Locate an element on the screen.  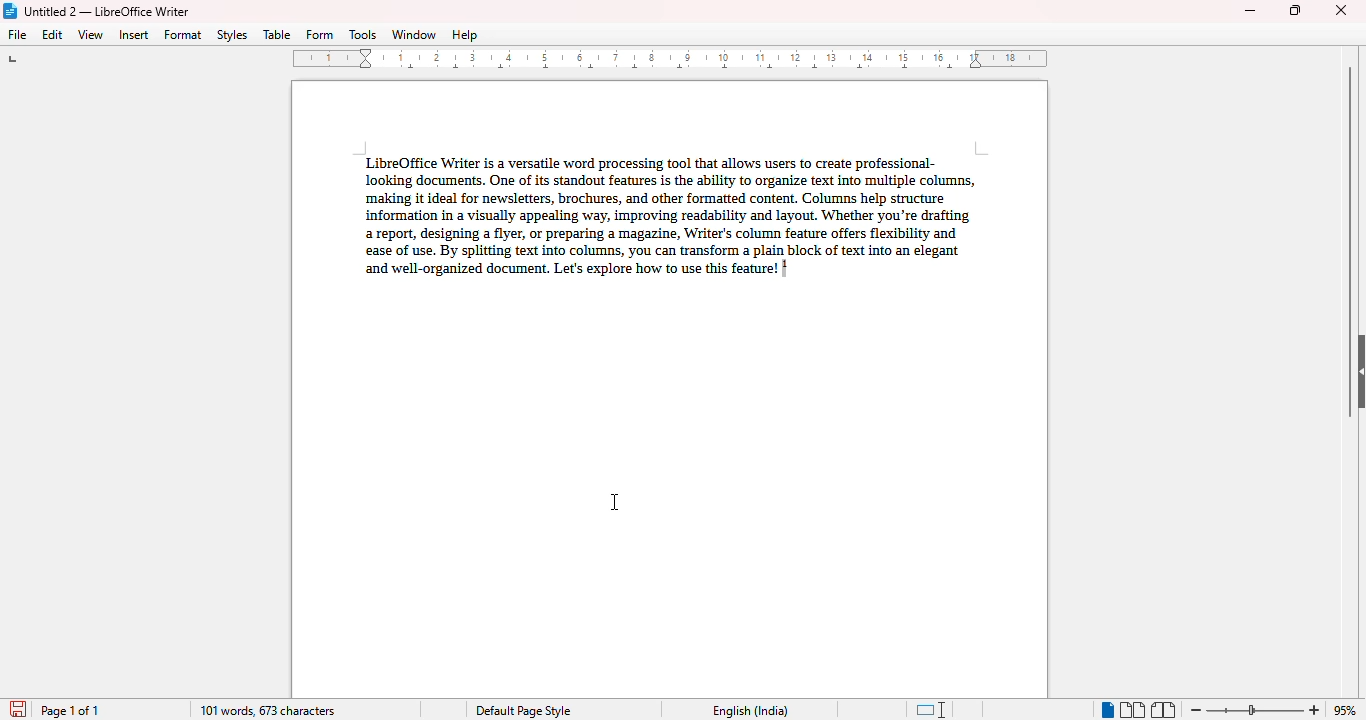
Save document is located at coordinates (16, 705).